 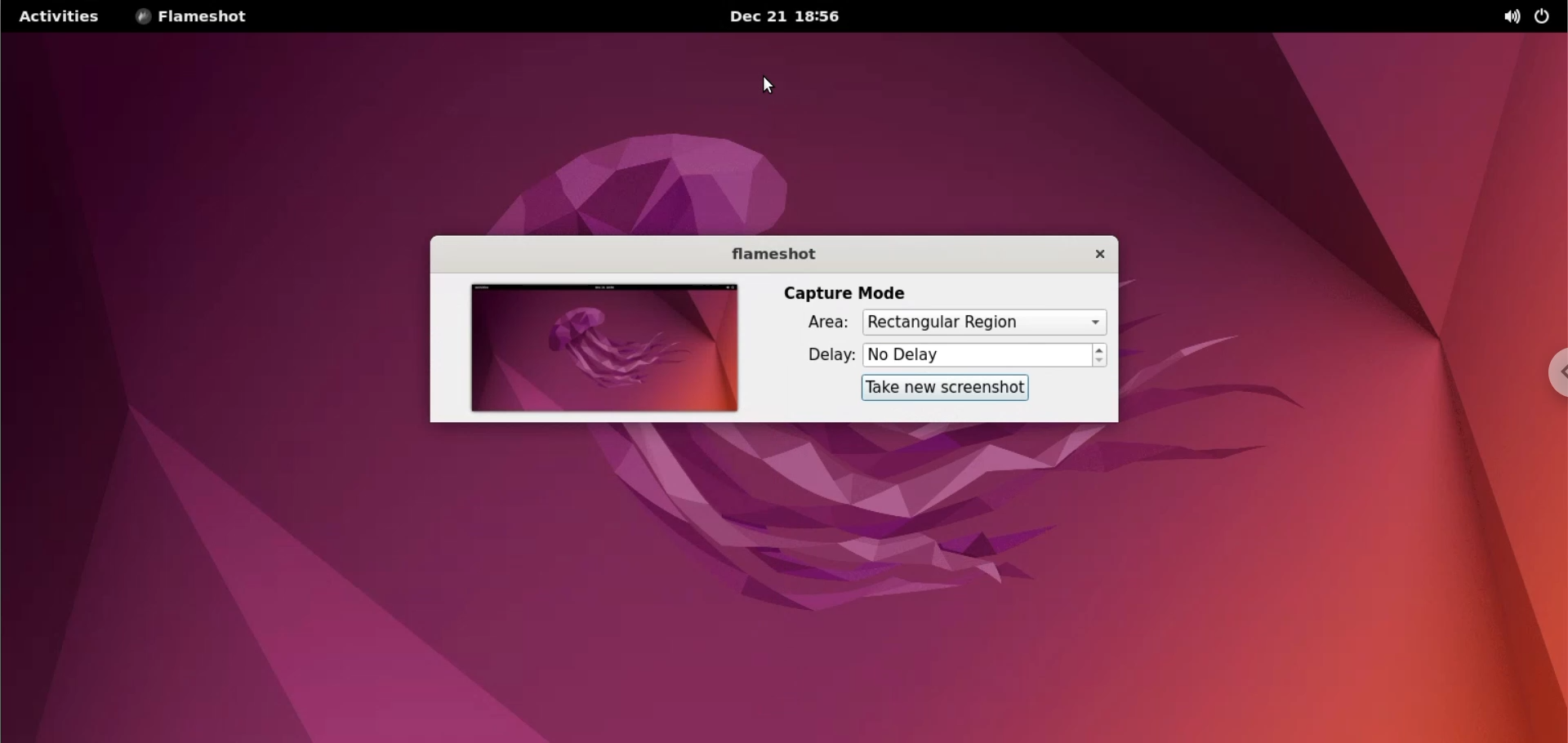 What do you see at coordinates (826, 354) in the screenshot?
I see `delay` at bounding box center [826, 354].